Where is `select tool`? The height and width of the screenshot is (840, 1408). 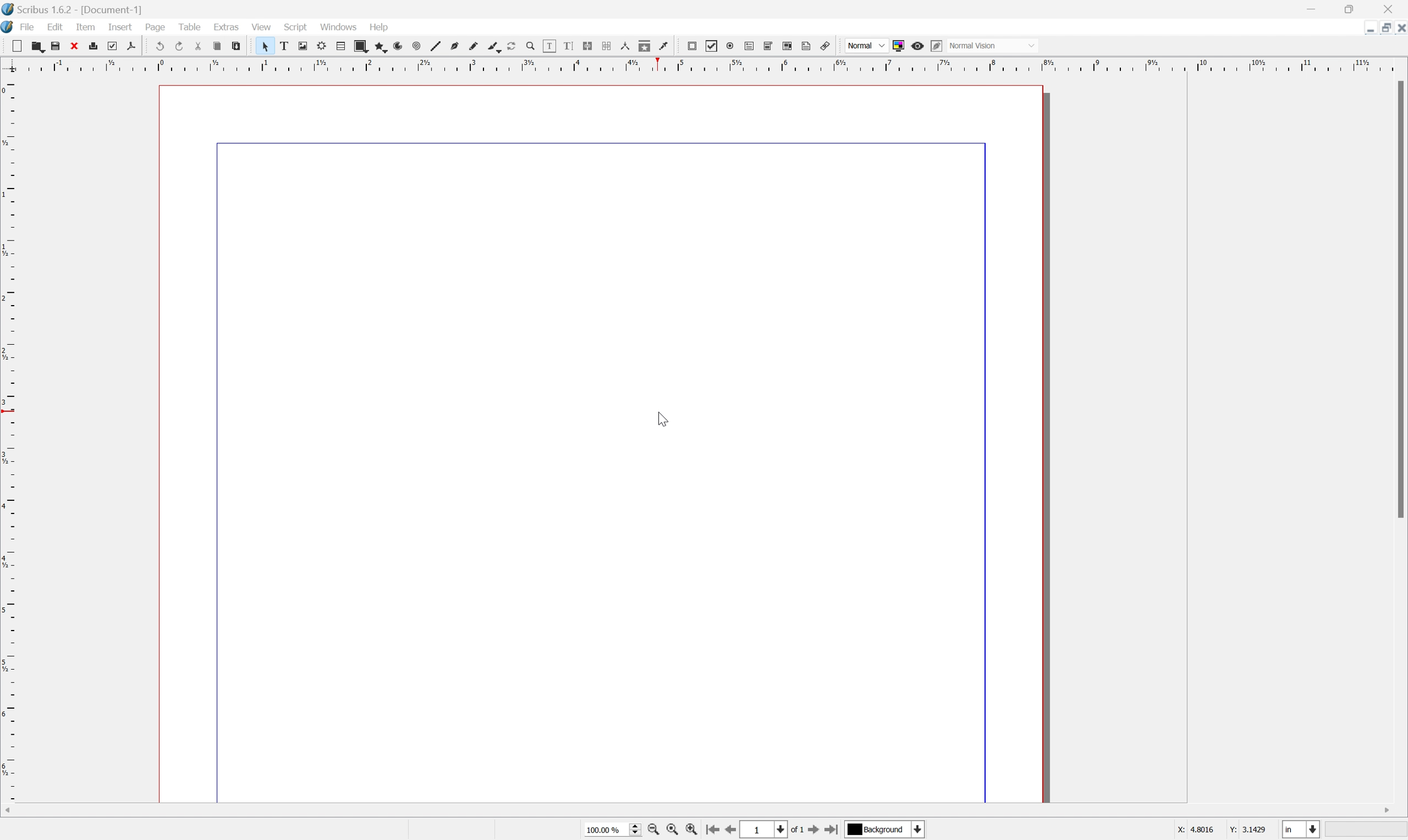
select tool is located at coordinates (263, 46).